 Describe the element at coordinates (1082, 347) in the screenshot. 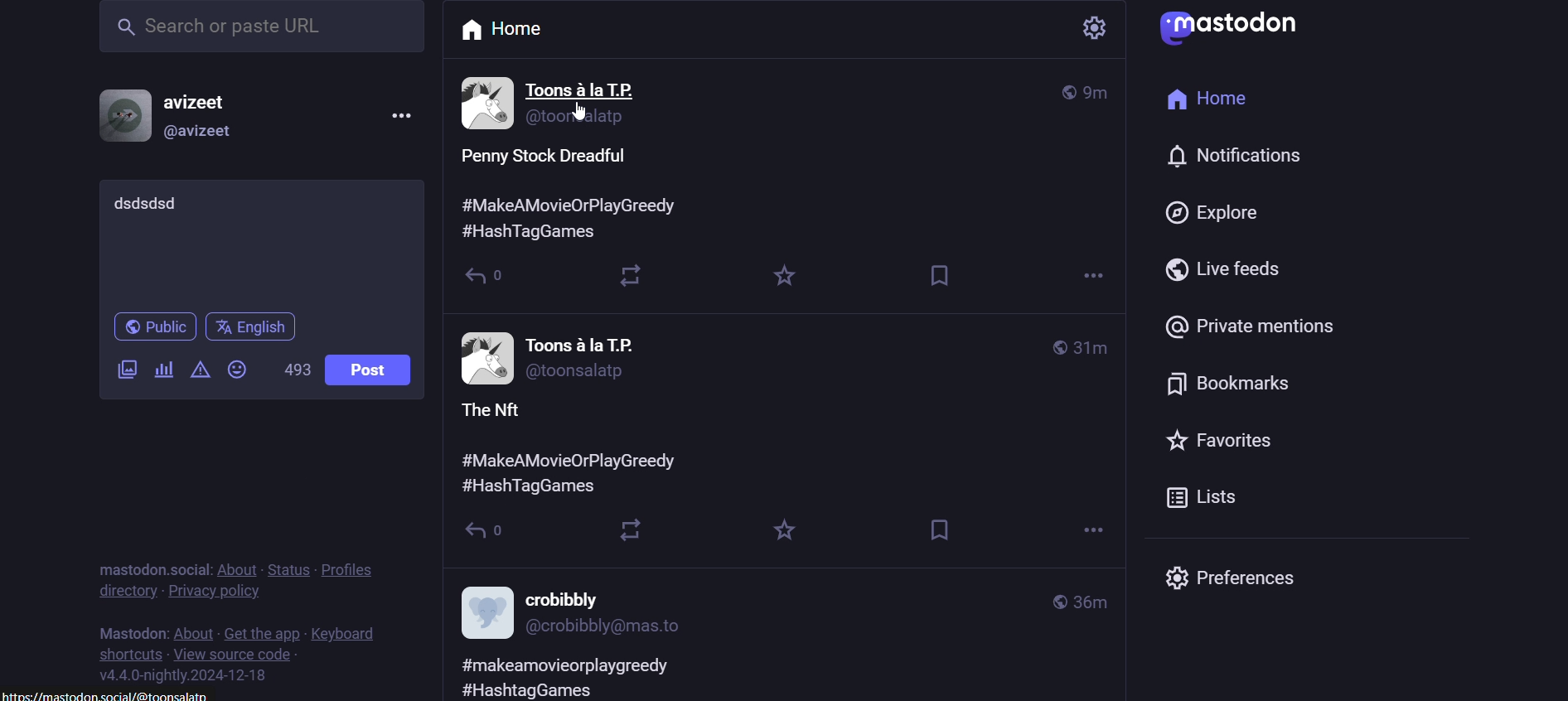

I see `` at that location.